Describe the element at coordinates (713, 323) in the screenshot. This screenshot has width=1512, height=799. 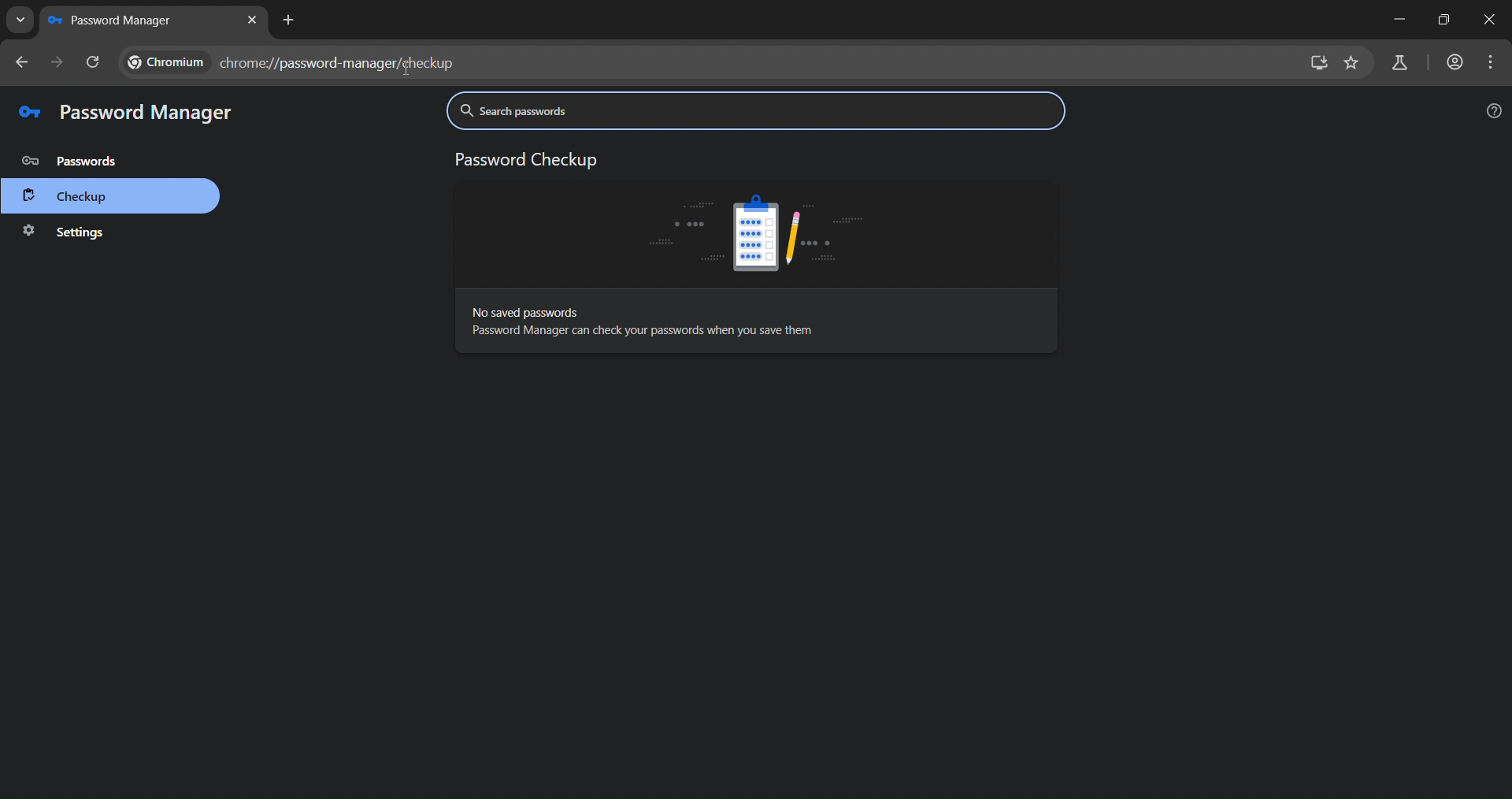
I see `no saved passwords` at that location.